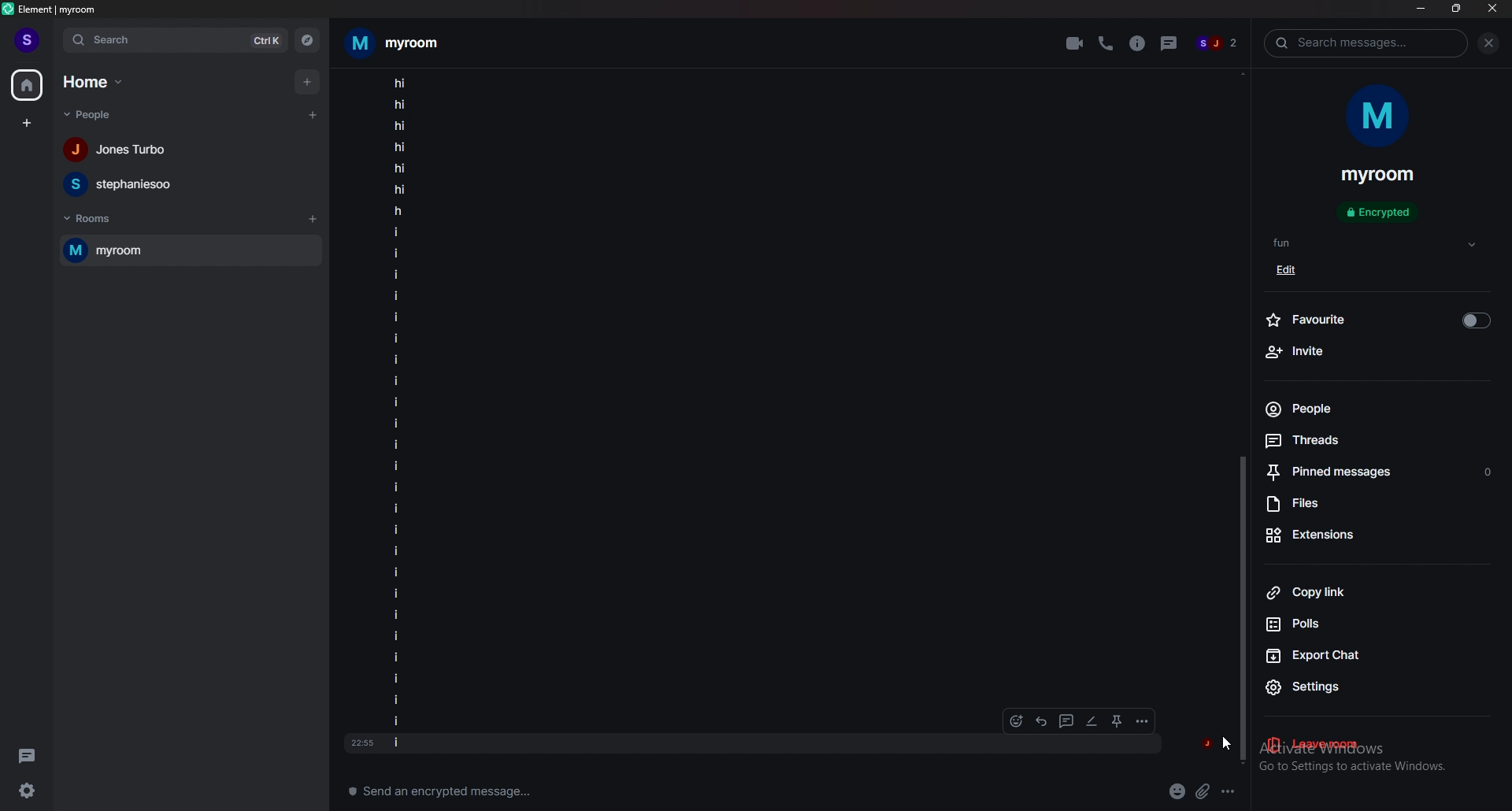 This screenshot has height=811, width=1512. Describe the element at coordinates (498, 794) in the screenshot. I see `send an encrypted message...` at that location.